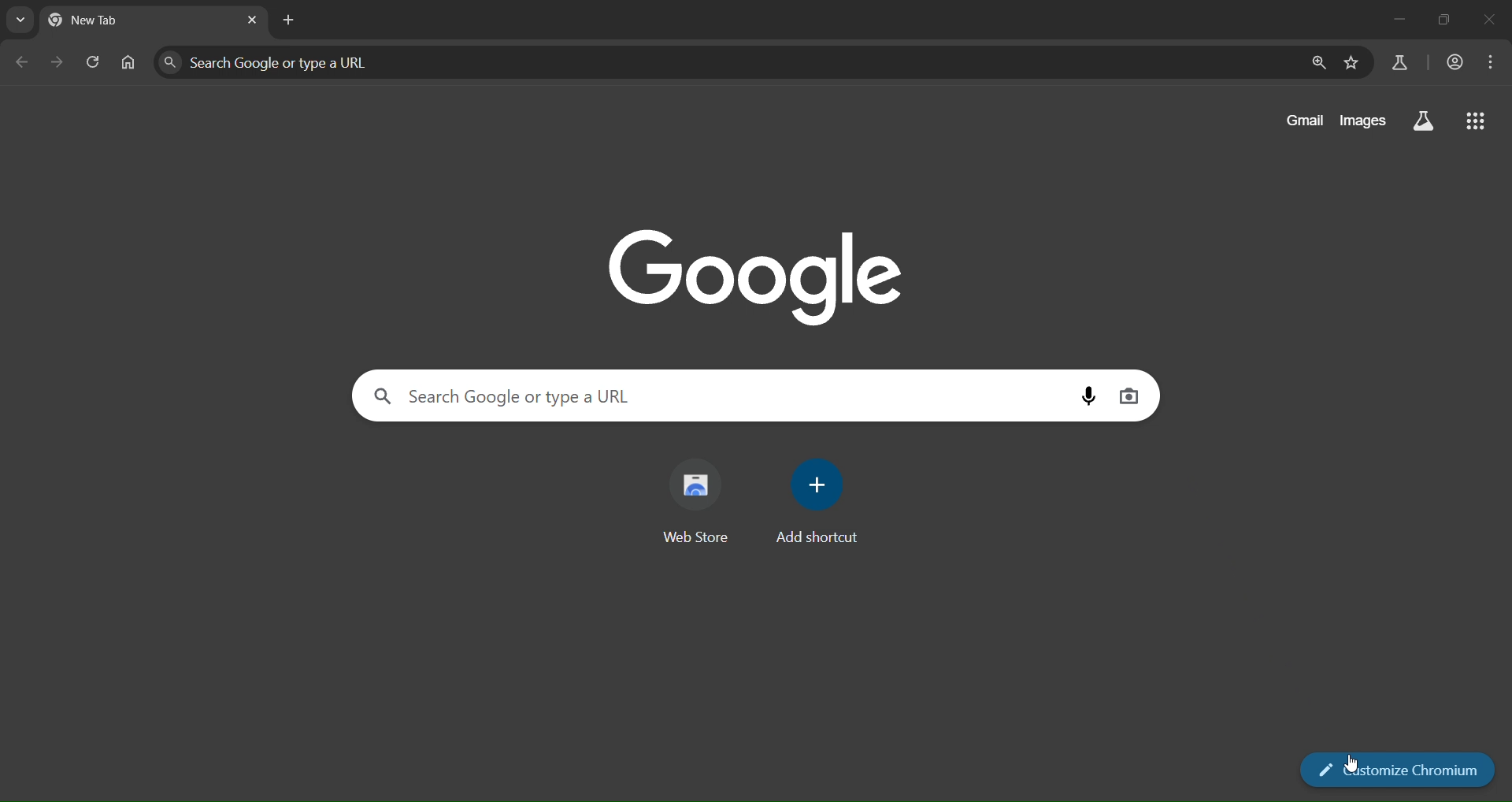  What do you see at coordinates (57, 64) in the screenshot?
I see `go forward one page` at bounding box center [57, 64].